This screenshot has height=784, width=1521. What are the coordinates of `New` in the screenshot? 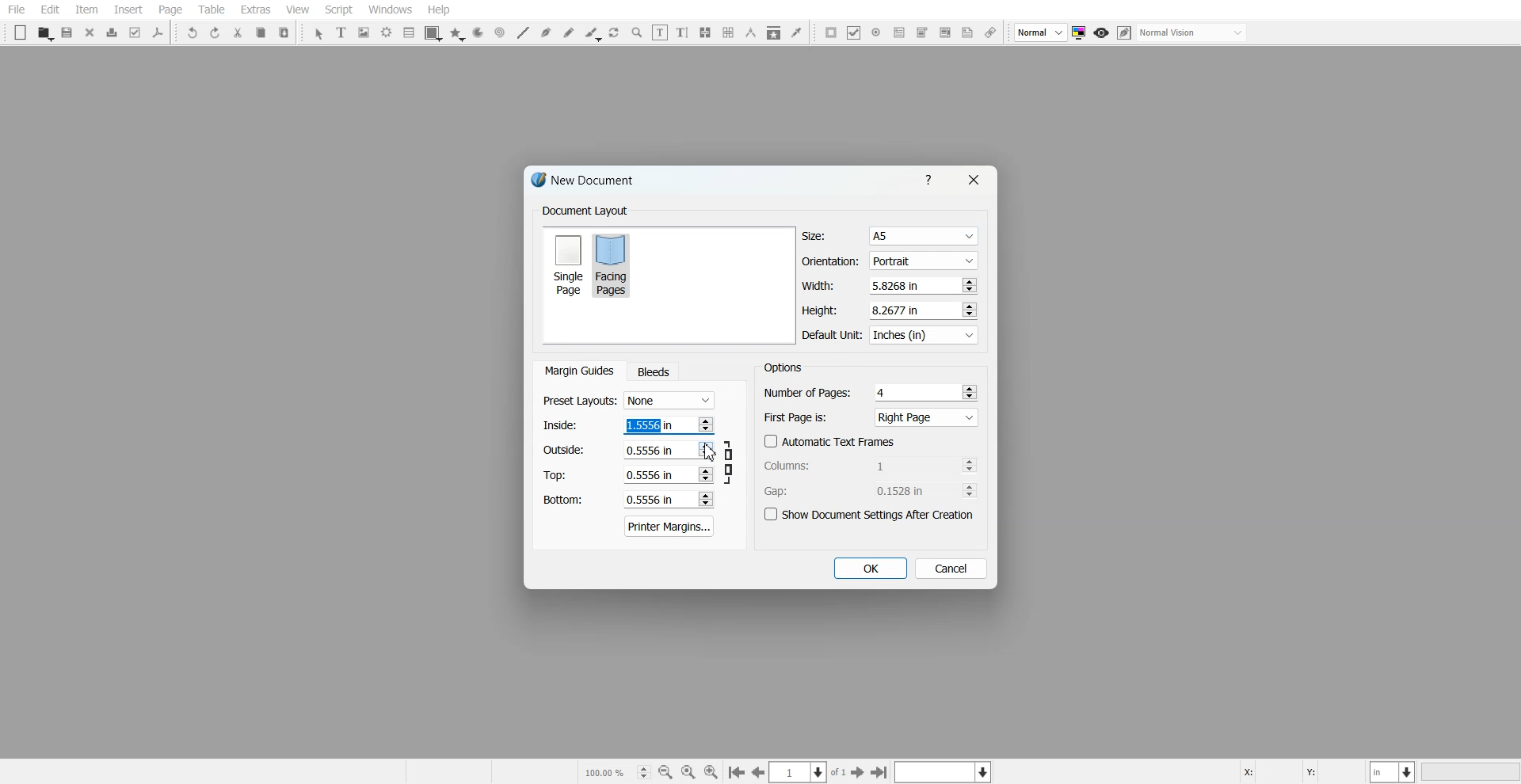 It's located at (21, 32).